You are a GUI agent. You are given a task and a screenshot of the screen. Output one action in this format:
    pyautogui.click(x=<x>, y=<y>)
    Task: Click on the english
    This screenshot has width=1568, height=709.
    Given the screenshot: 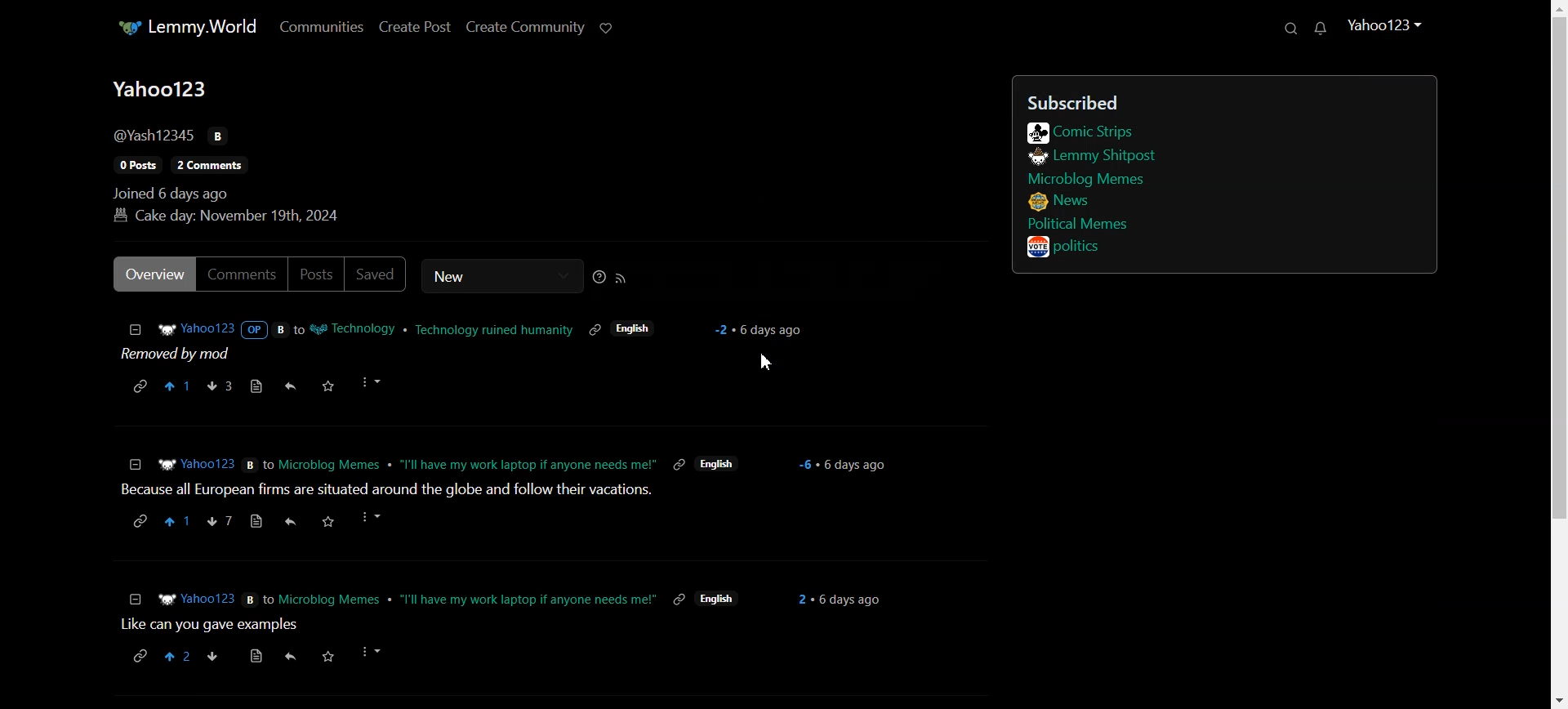 What is the action you would take?
    pyautogui.click(x=633, y=328)
    